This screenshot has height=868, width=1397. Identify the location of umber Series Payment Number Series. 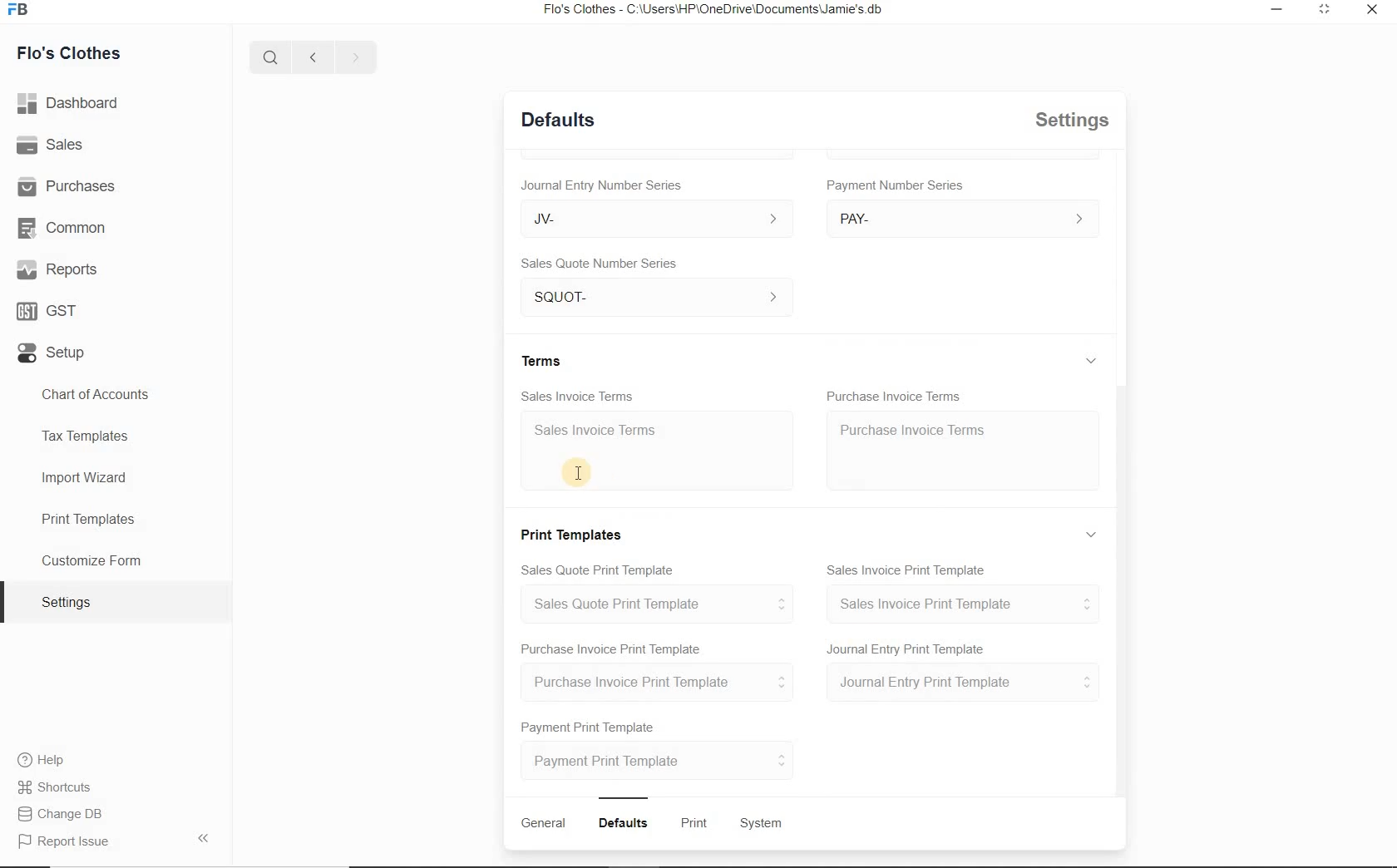
(897, 185).